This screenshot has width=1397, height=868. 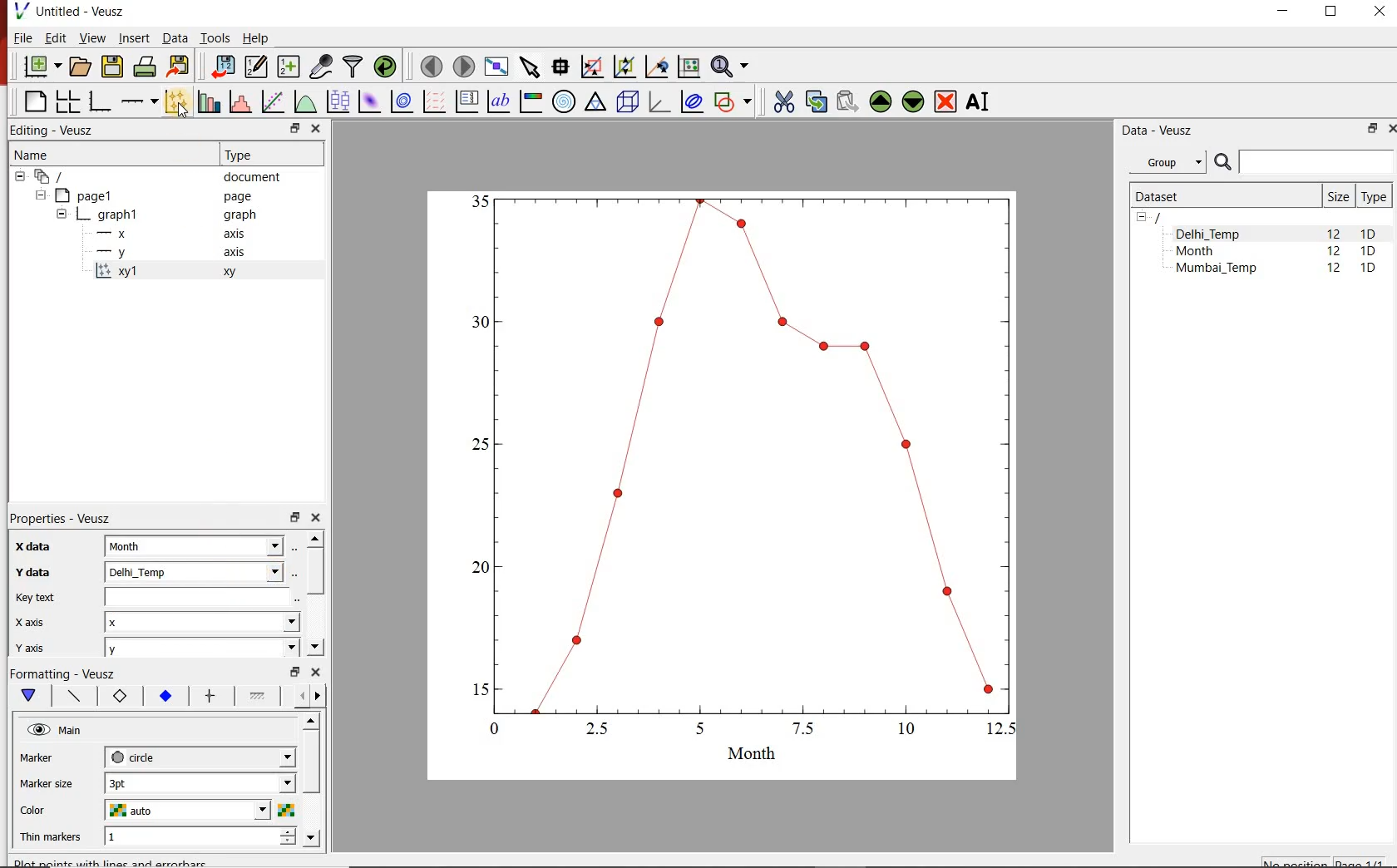 What do you see at coordinates (67, 673) in the screenshot?
I see `Formatting - Veusz` at bounding box center [67, 673].